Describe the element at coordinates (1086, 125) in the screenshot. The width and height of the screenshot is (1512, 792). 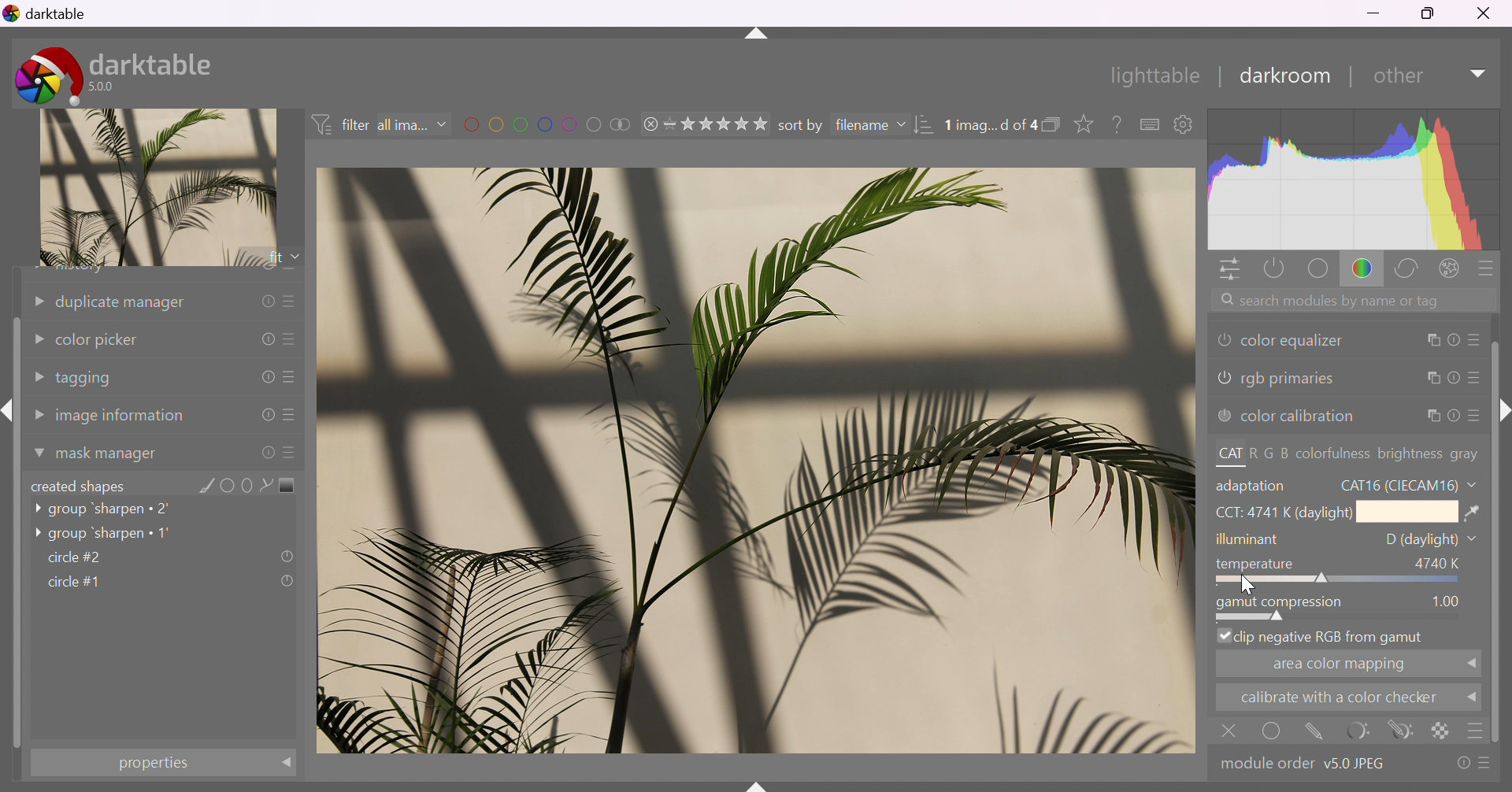
I see `click to change type of overlays` at that location.